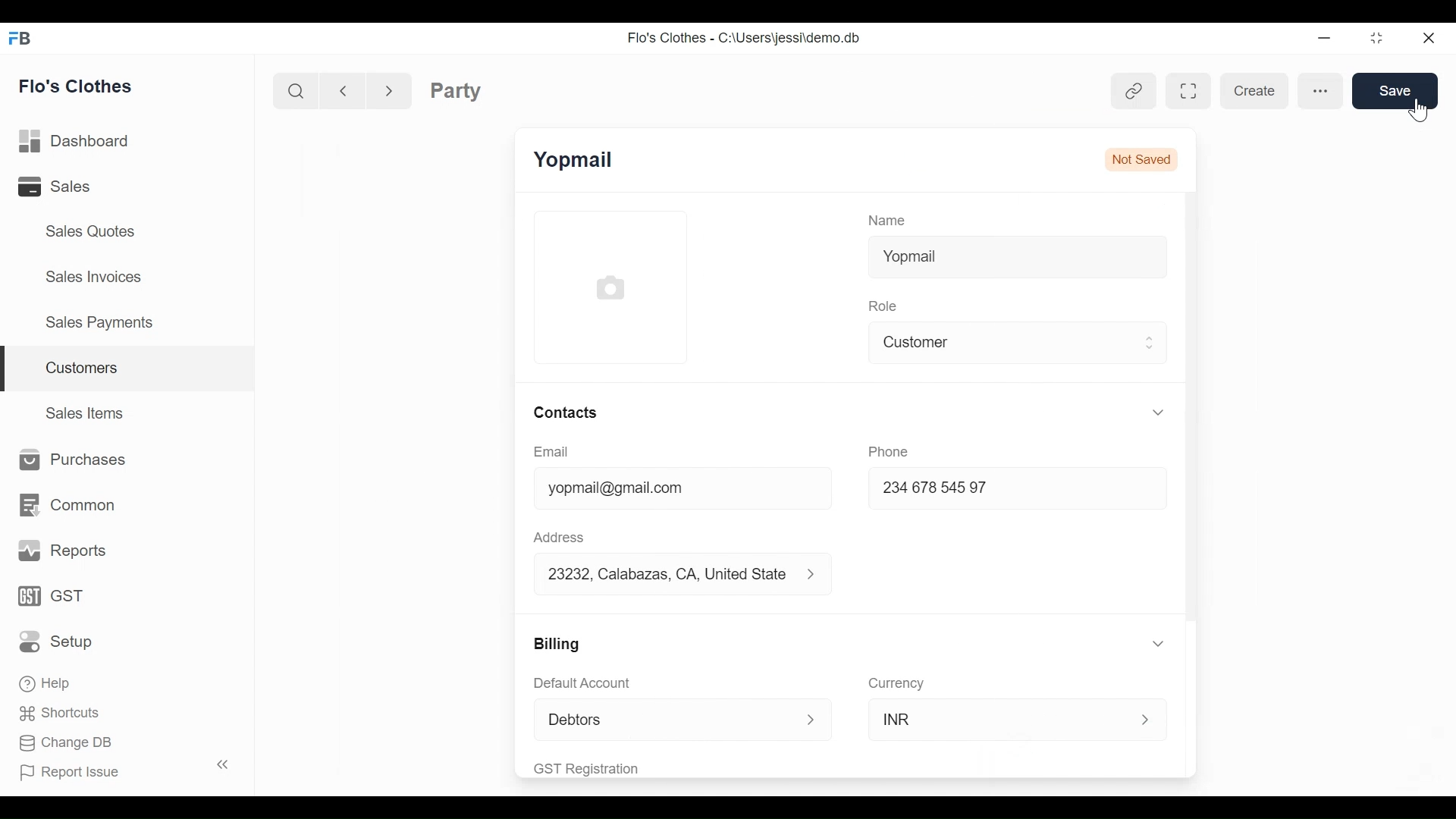  What do you see at coordinates (1139, 158) in the screenshot?
I see `Not Saved` at bounding box center [1139, 158].